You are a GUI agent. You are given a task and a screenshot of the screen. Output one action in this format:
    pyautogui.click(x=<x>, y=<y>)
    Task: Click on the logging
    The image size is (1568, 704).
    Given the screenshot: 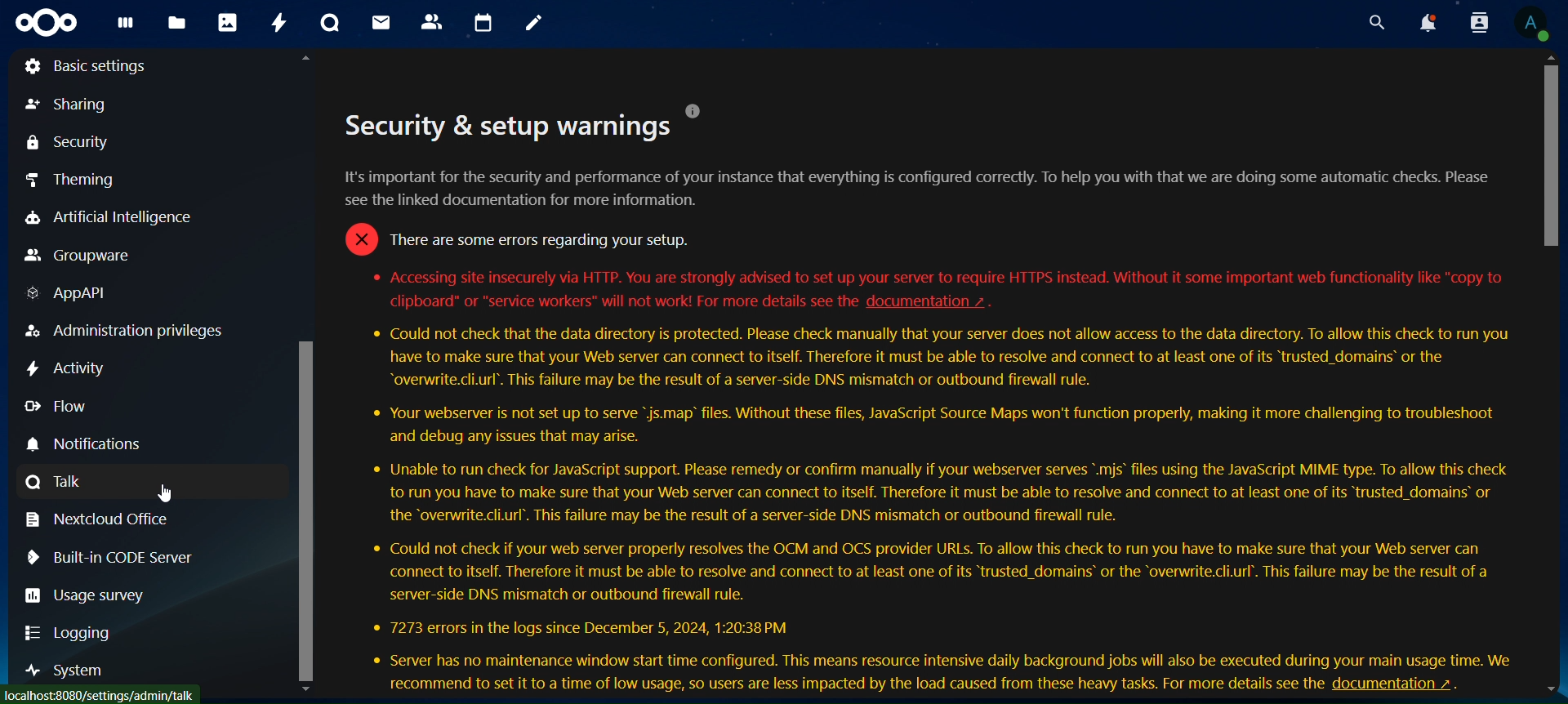 What is the action you would take?
    pyautogui.click(x=69, y=633)
    